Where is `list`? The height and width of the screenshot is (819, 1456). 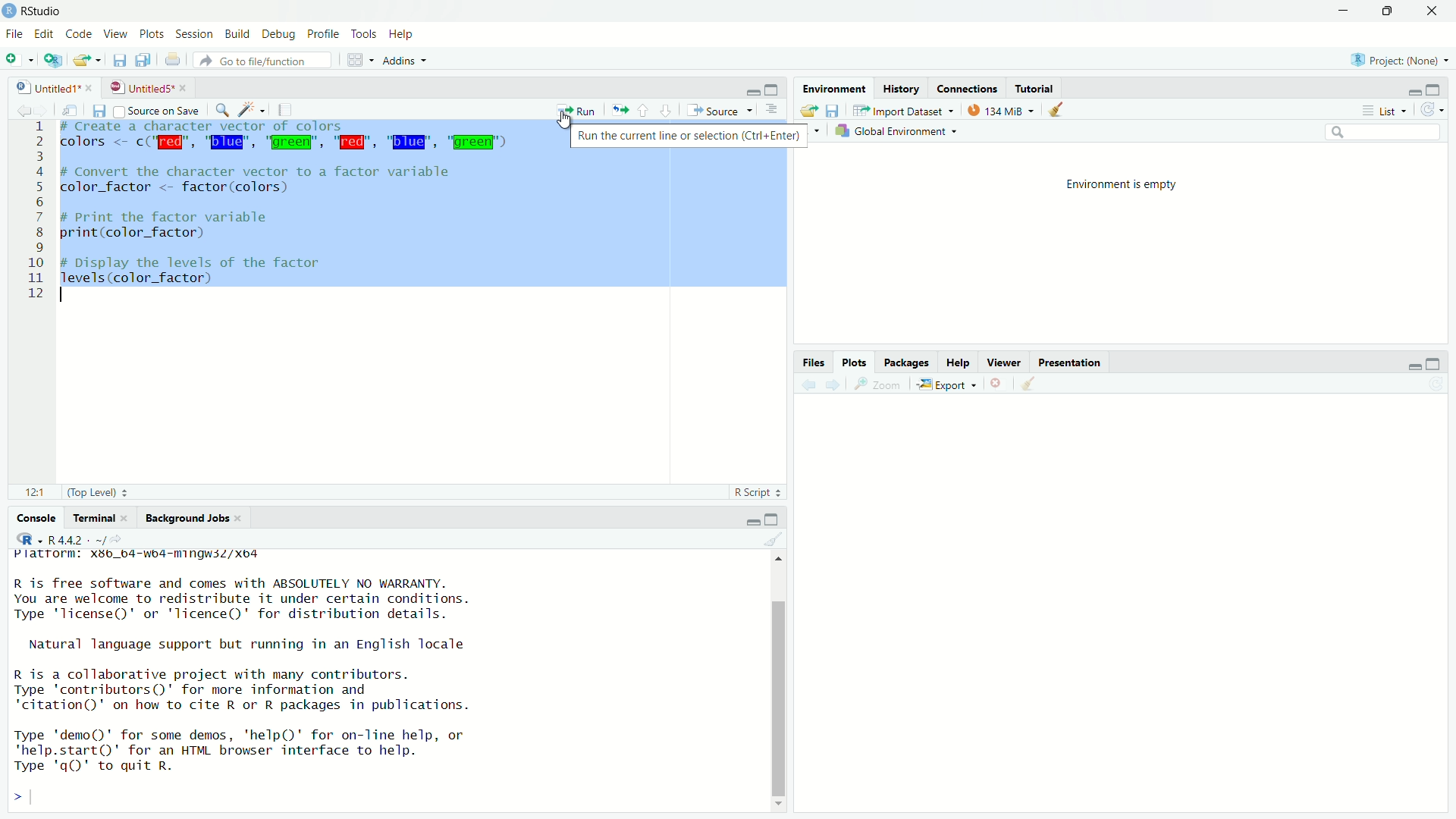
list is located at coordinates (1382, 111).